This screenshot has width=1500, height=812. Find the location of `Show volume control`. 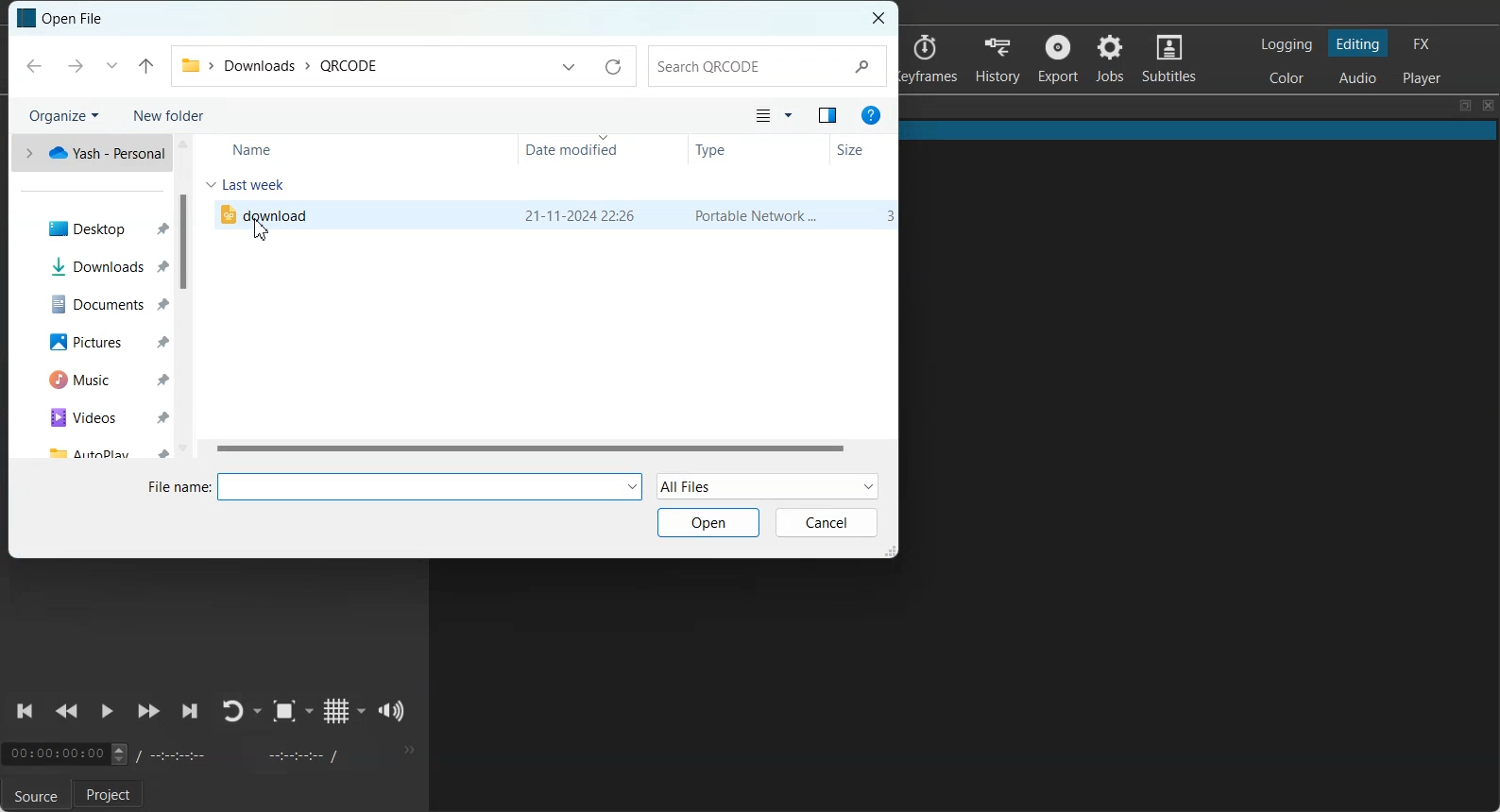

Show volume control is located at coordinates (392, 711).